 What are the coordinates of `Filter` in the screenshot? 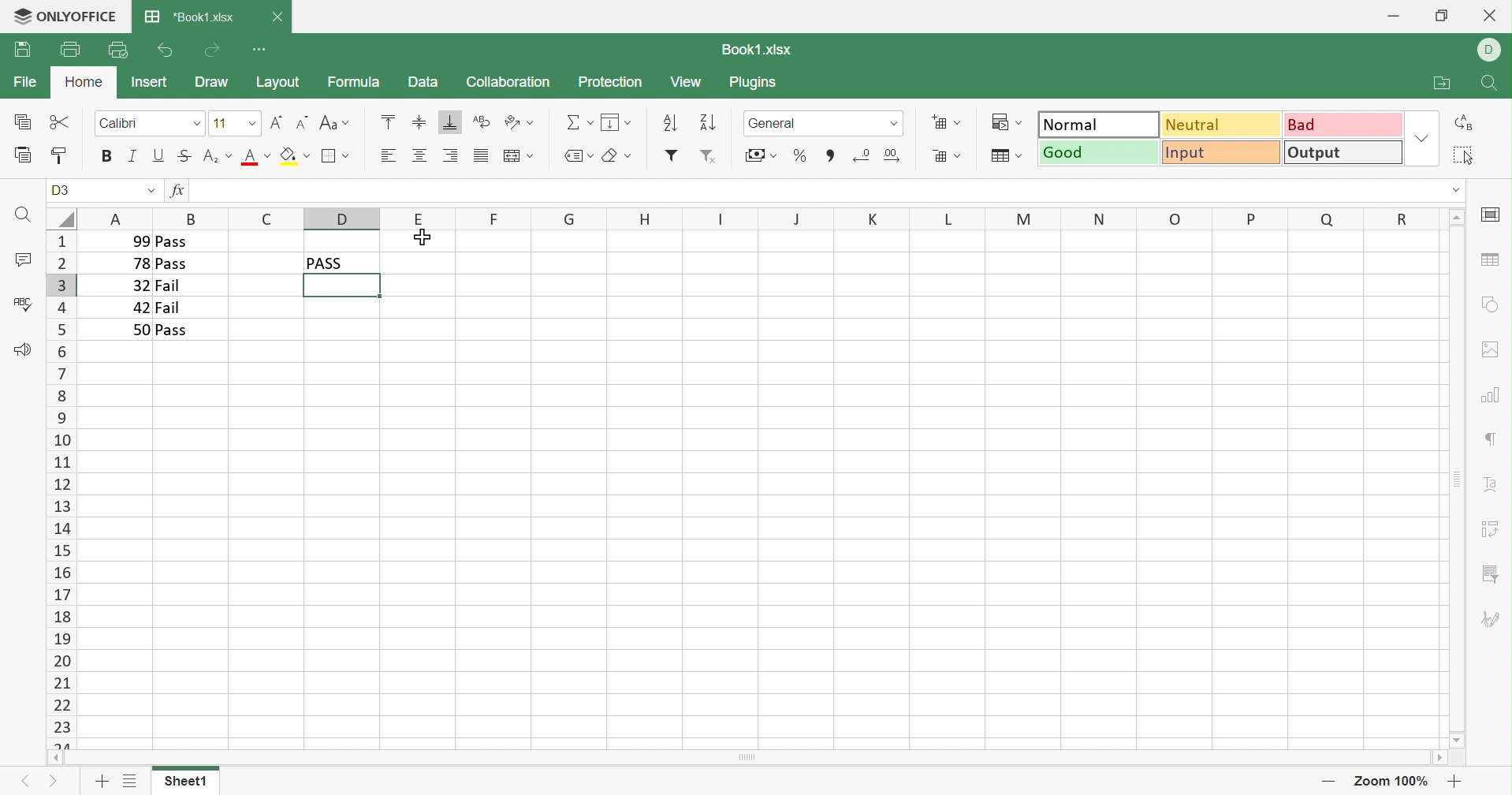 It's located at (671, 155).